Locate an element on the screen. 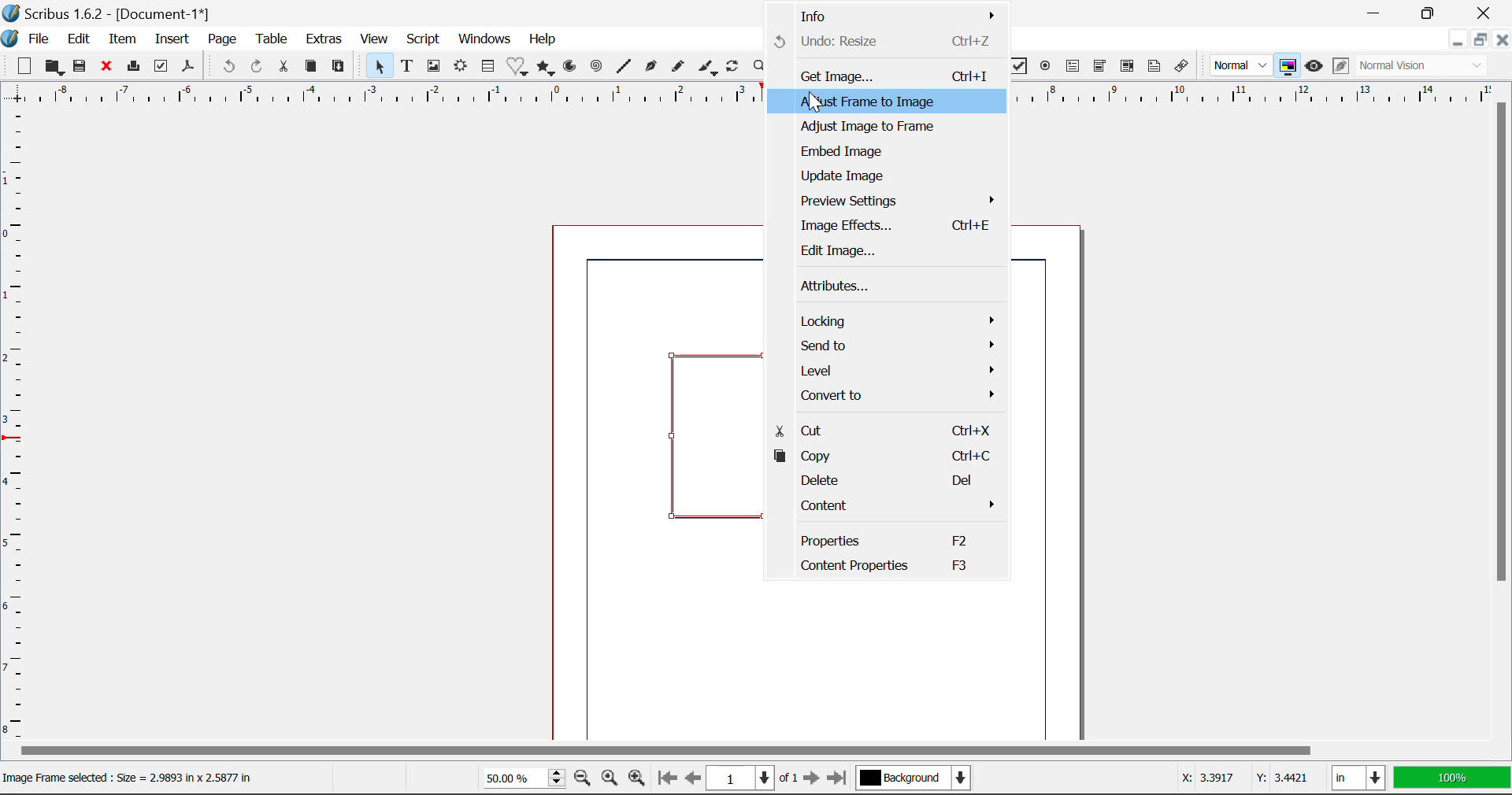 This screenshot has width=1512, height=795. Insert is located at coordinates (173, 40).